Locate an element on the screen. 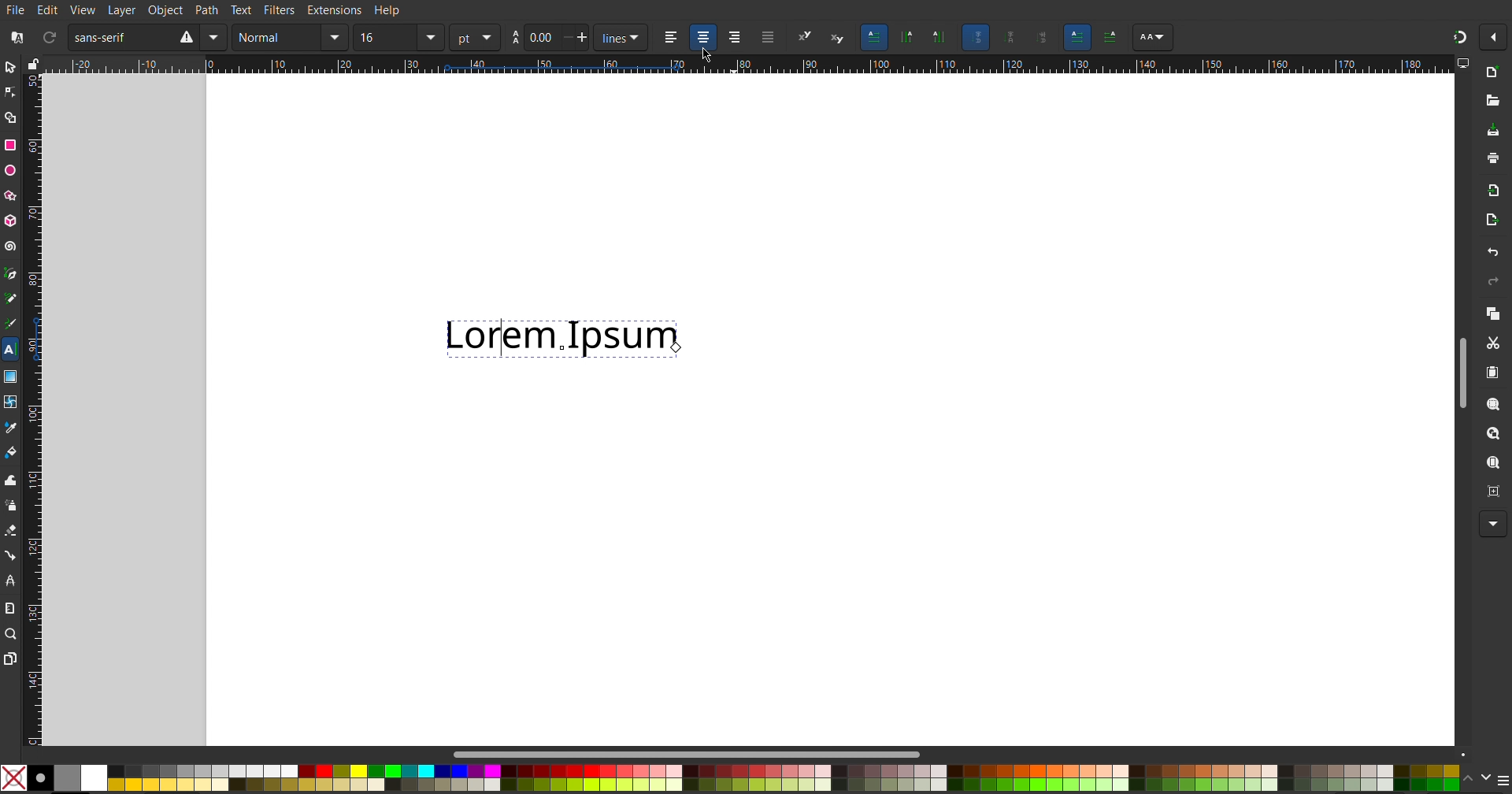  Horizontal text orientation is located at coordinates (876, 37).